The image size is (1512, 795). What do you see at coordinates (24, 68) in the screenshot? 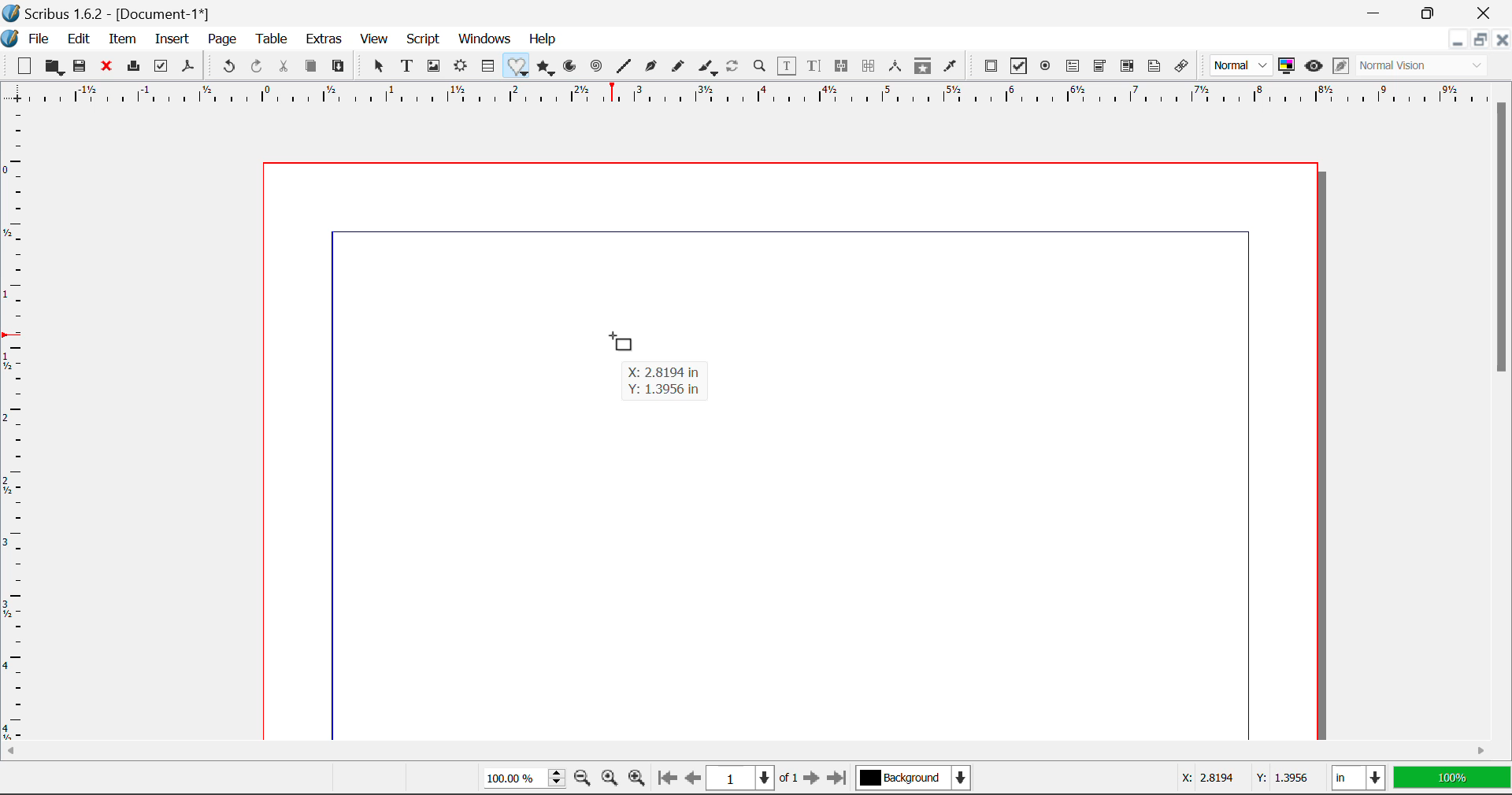
I see `New` at bounding box center [24, 68].